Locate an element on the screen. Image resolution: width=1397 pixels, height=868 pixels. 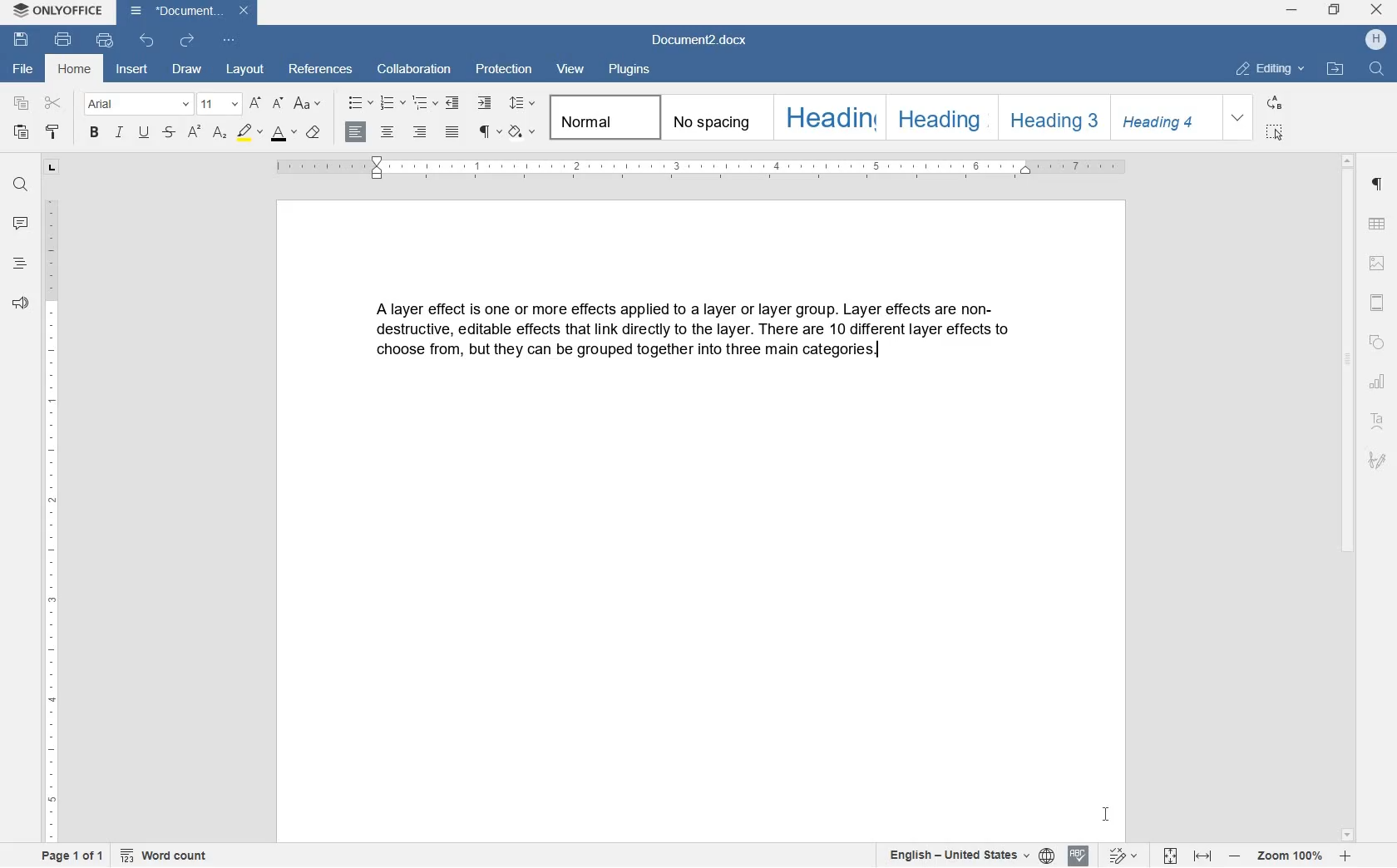
BOLD is located at coordinates (96, 133).